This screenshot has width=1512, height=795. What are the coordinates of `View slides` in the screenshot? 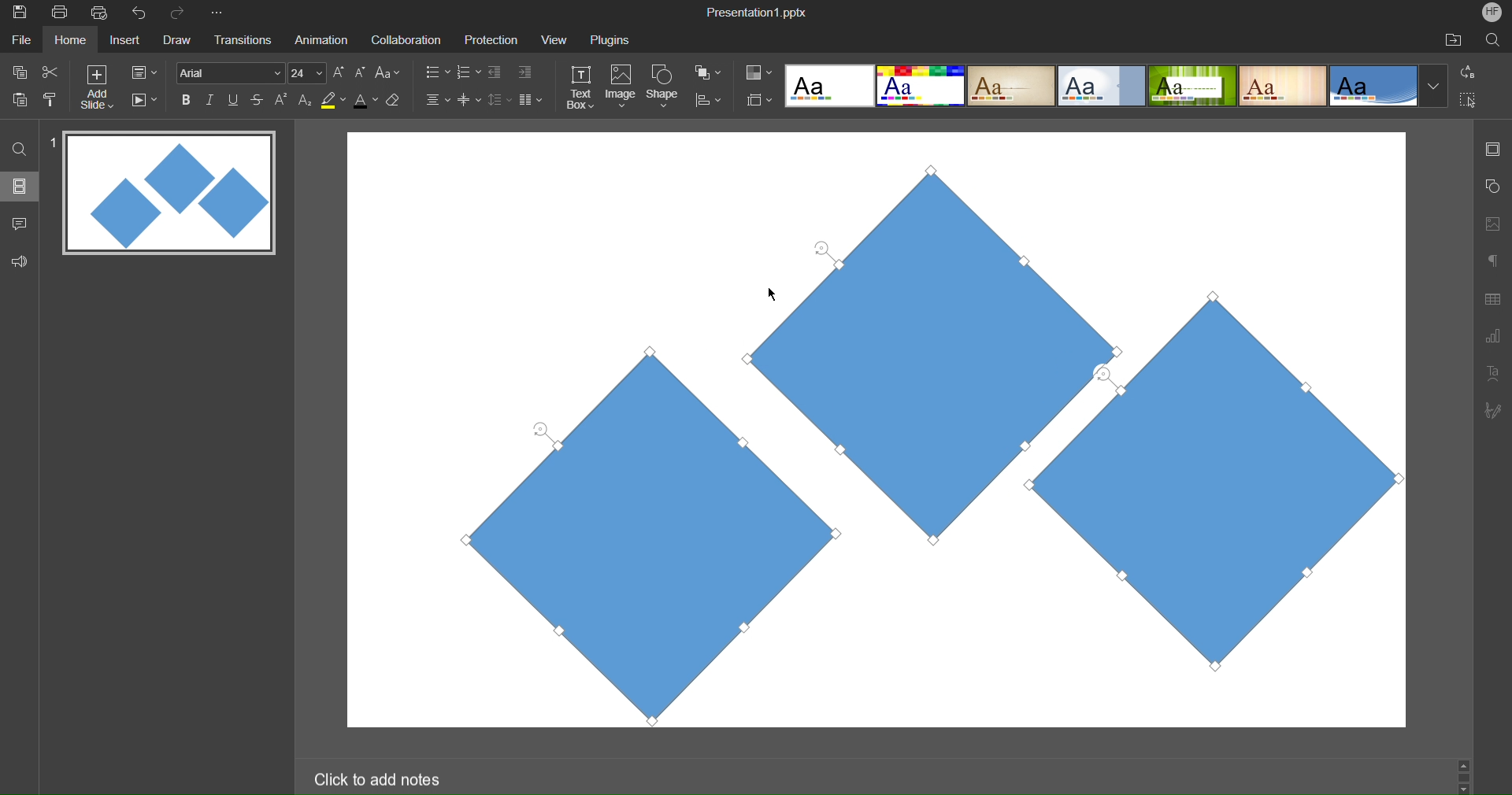 It's located at (19, 185).